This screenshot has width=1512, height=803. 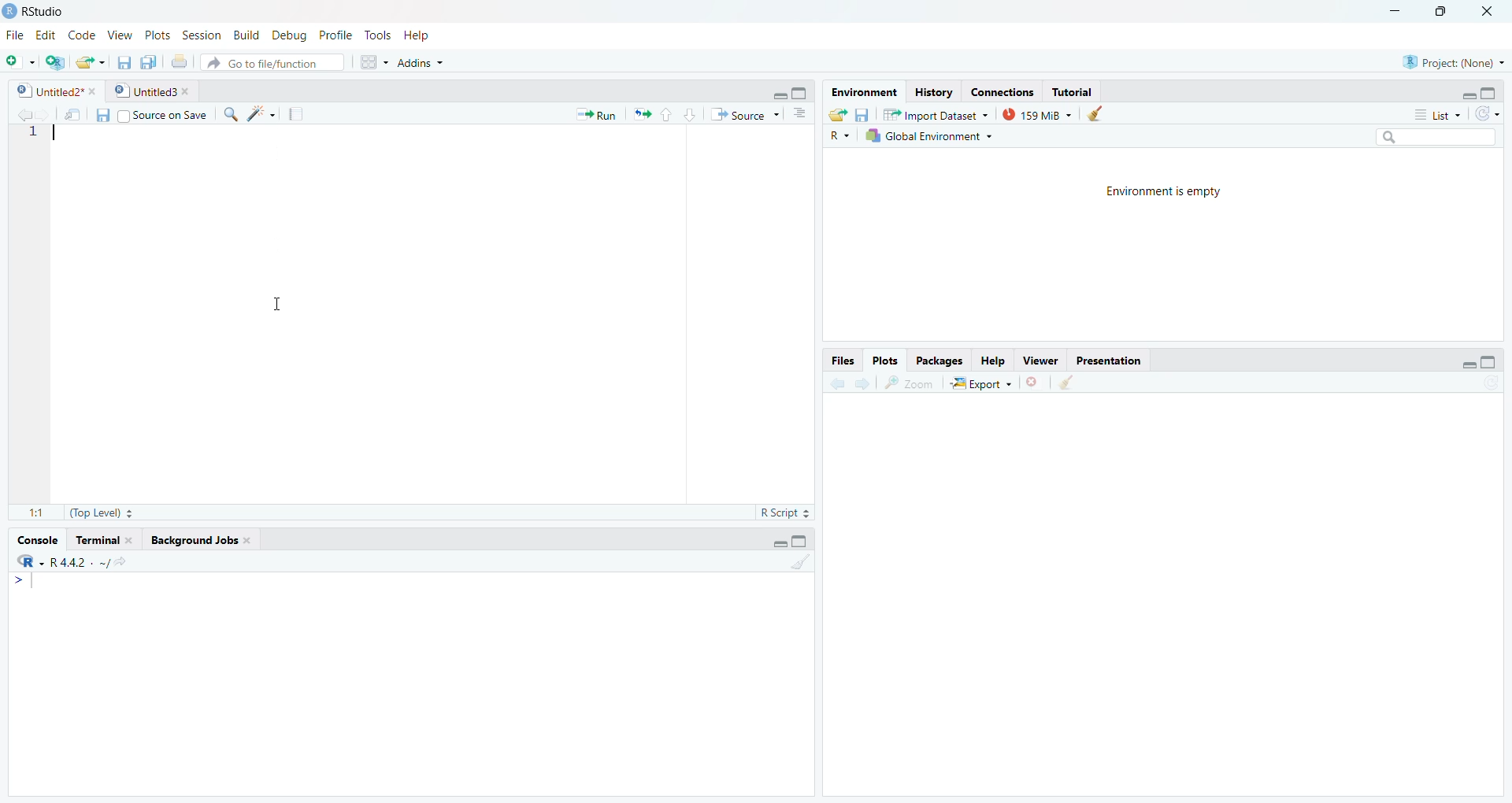 I want to click on Connections, so click(x=1002, y=91).